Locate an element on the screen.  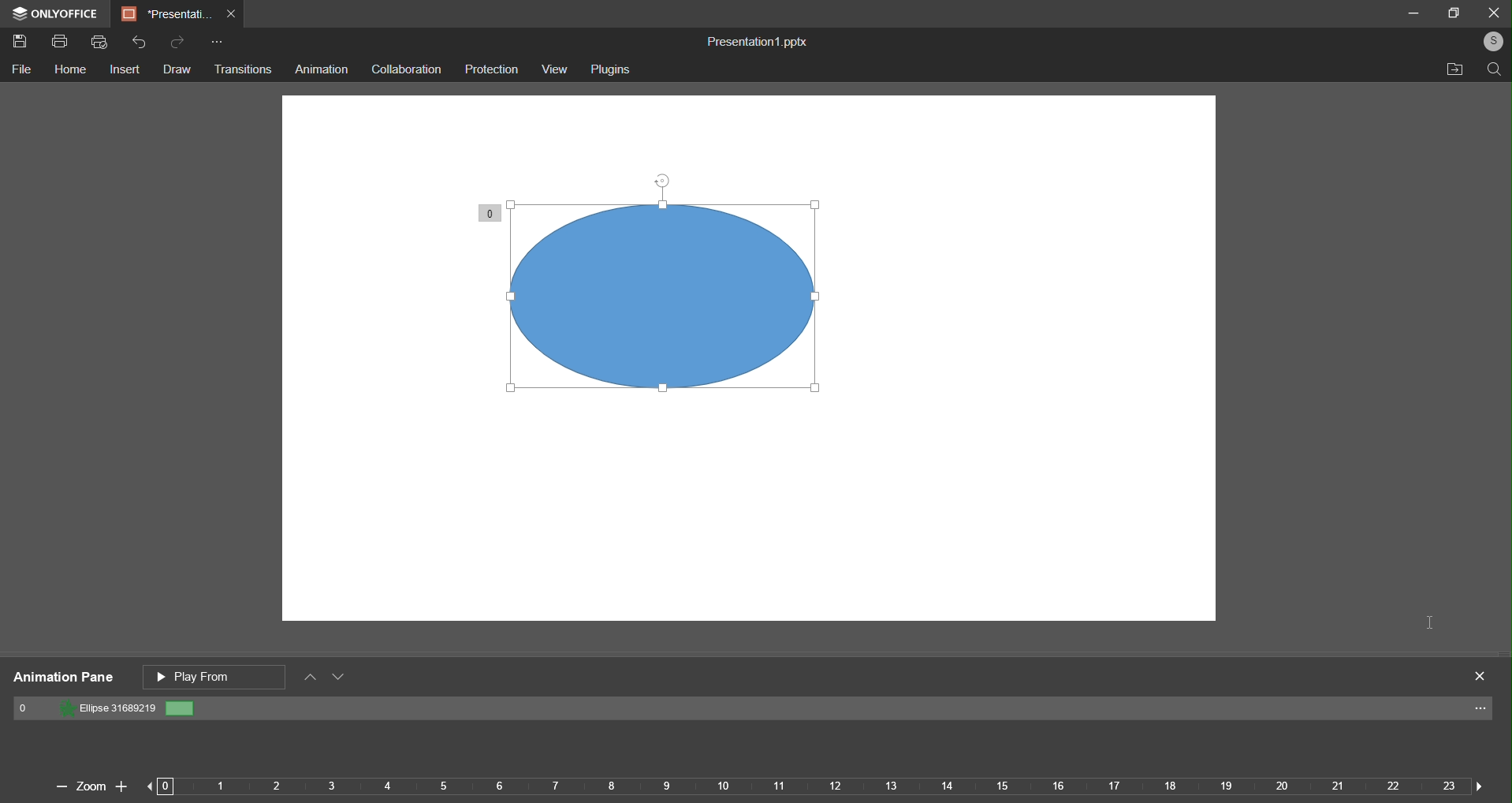
collaboration is located at coordinates (404, 68).